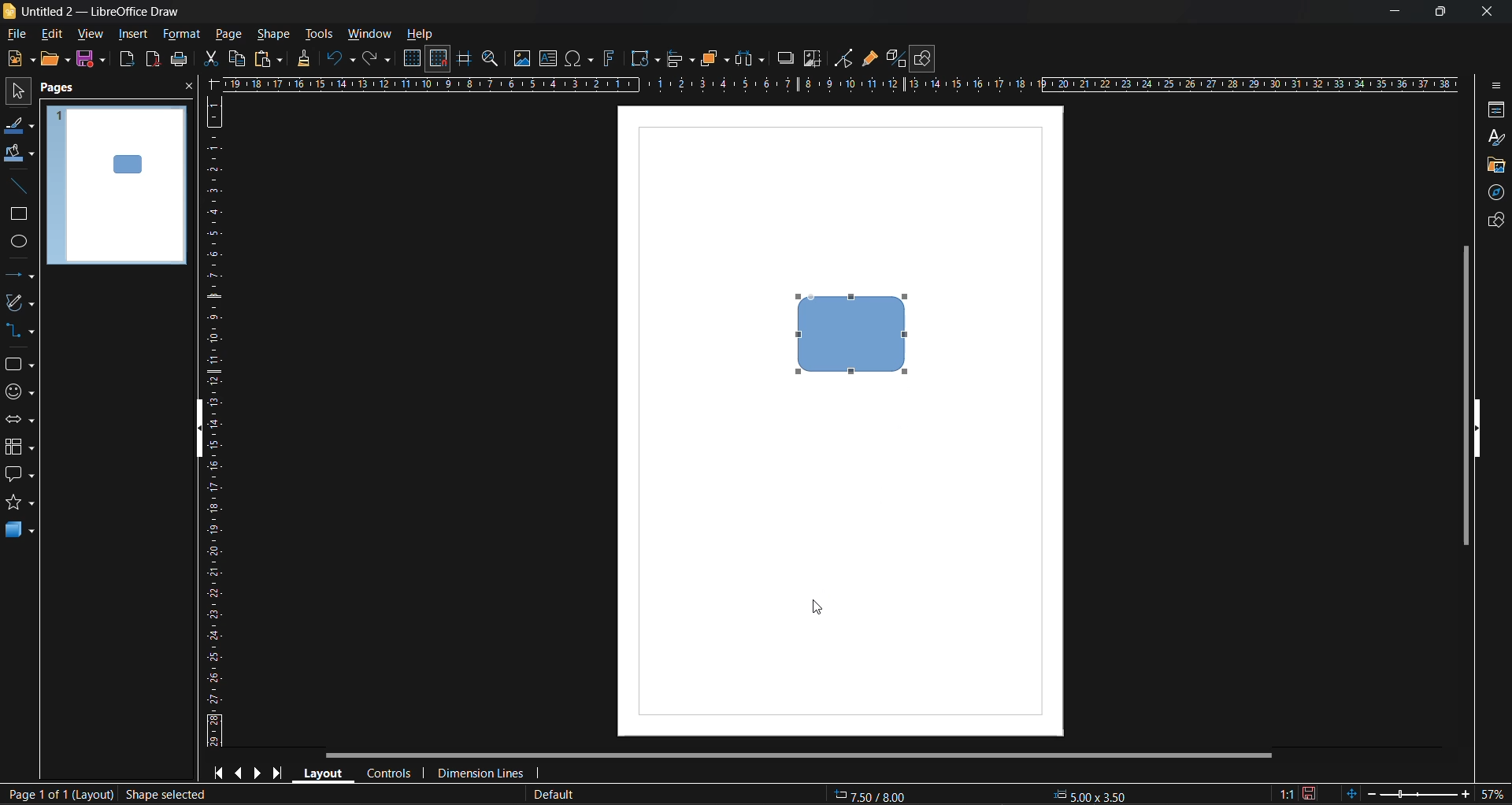 This screenshot has width=1512, height=805. Describe the element at coordinates (16, 215) in the screenshot. I see `rectangle` at that location.